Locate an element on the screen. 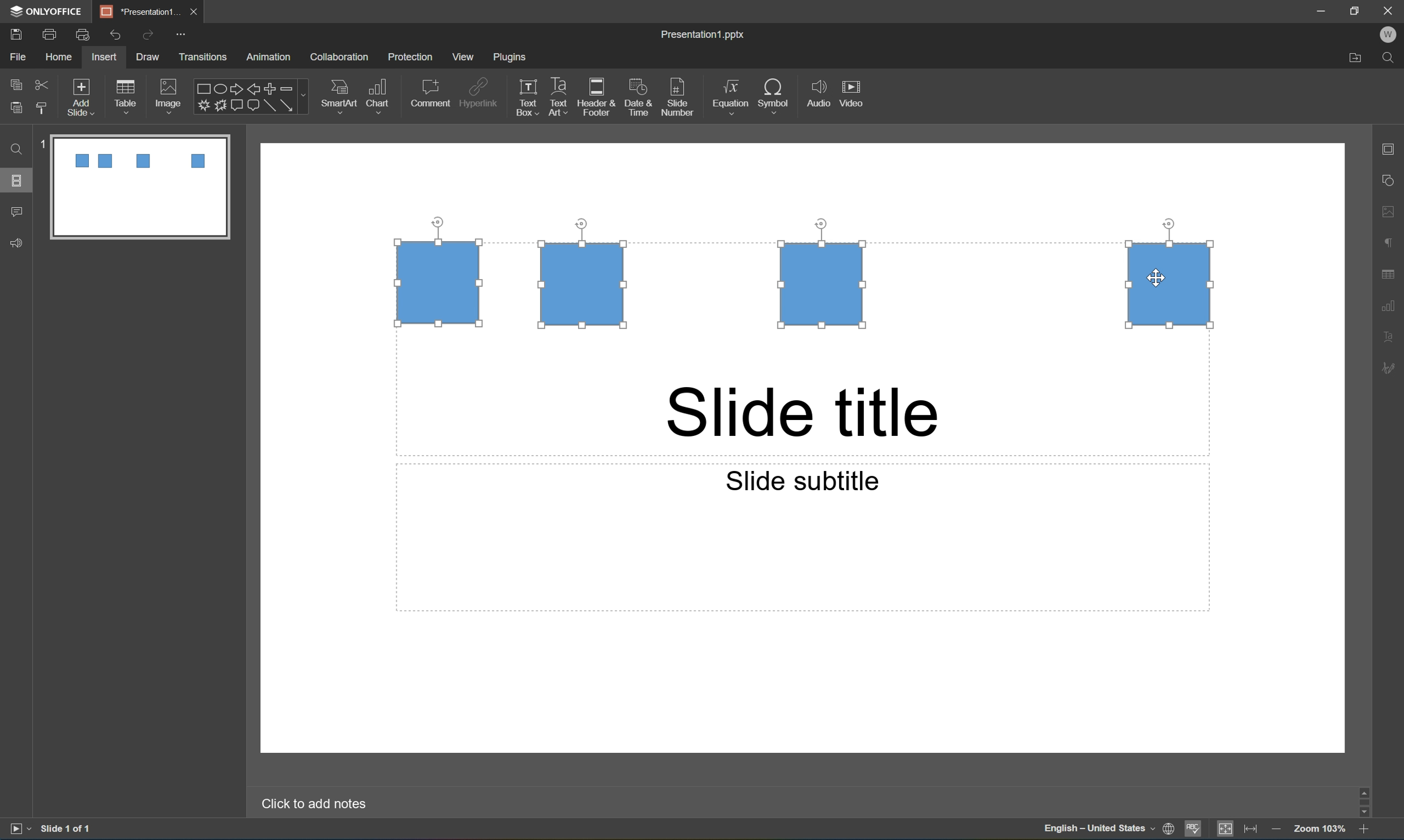 The width and height of the screenshot is (1404, 840). close is located at coordinates (1389, 10).